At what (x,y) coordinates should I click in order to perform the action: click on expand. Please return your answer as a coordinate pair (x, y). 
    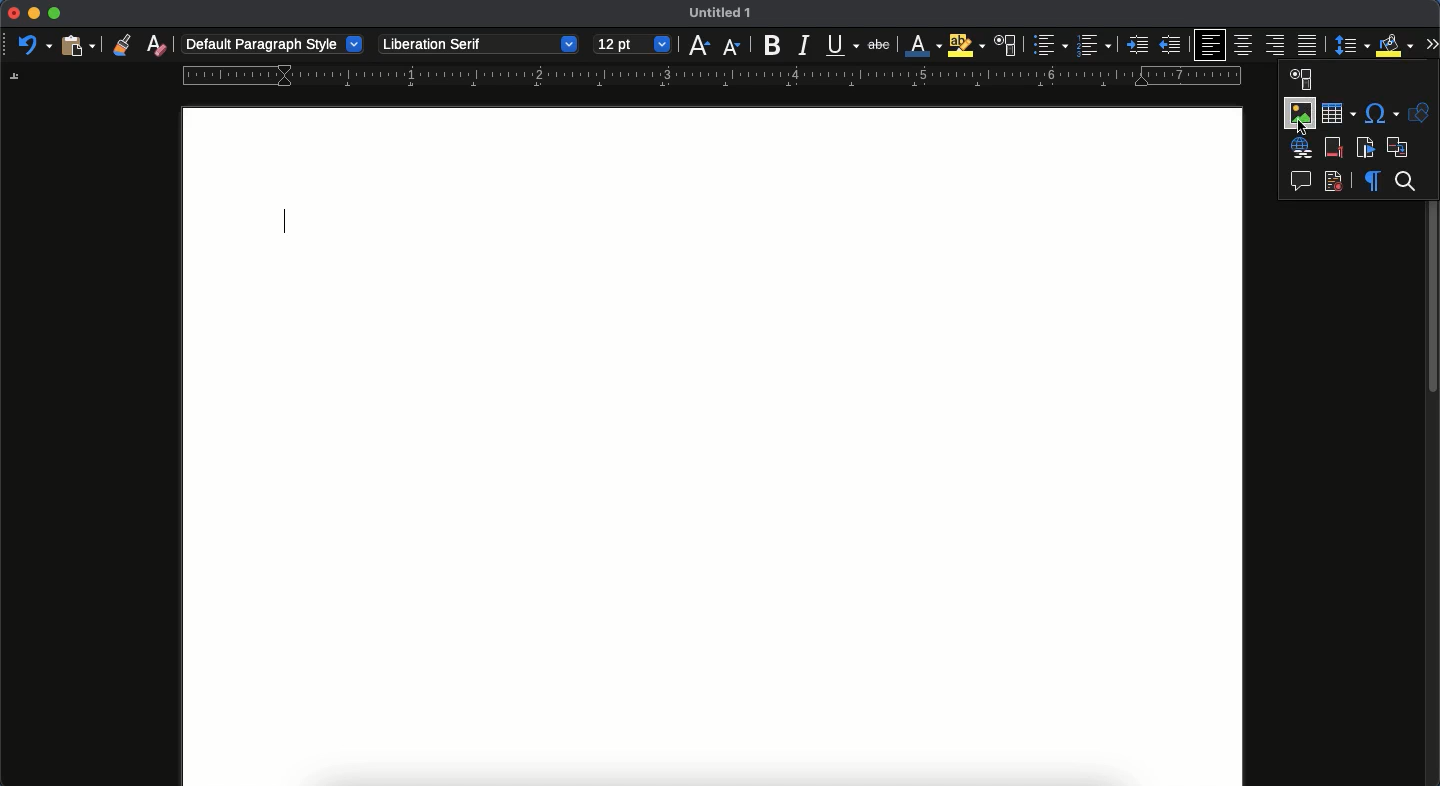
    Looking at the image, I should click on (1426, 42).